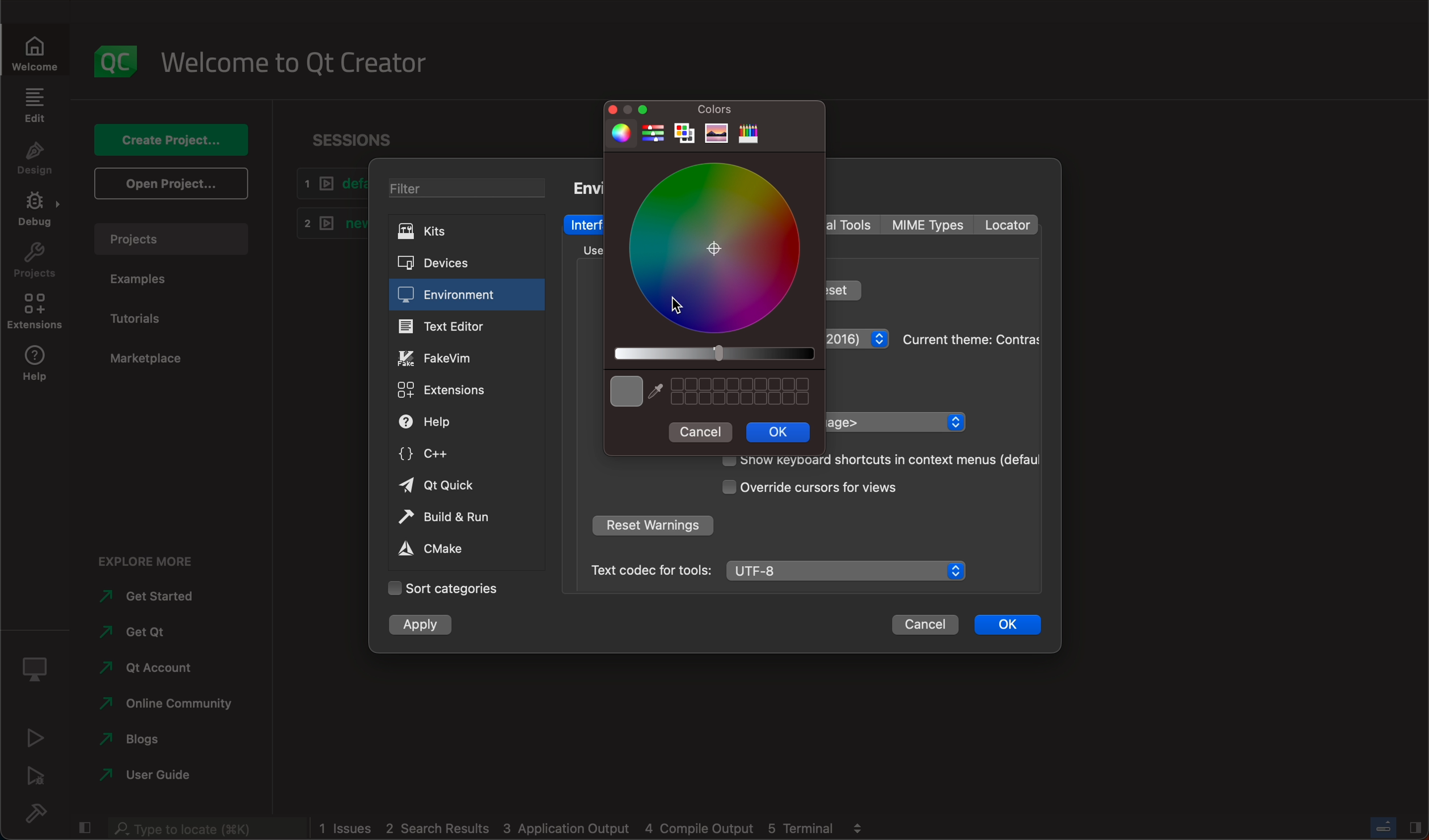  What do you see at coordinates (717, 111) in the screenshot?
I see `colors` at bounding box center [717, 111].